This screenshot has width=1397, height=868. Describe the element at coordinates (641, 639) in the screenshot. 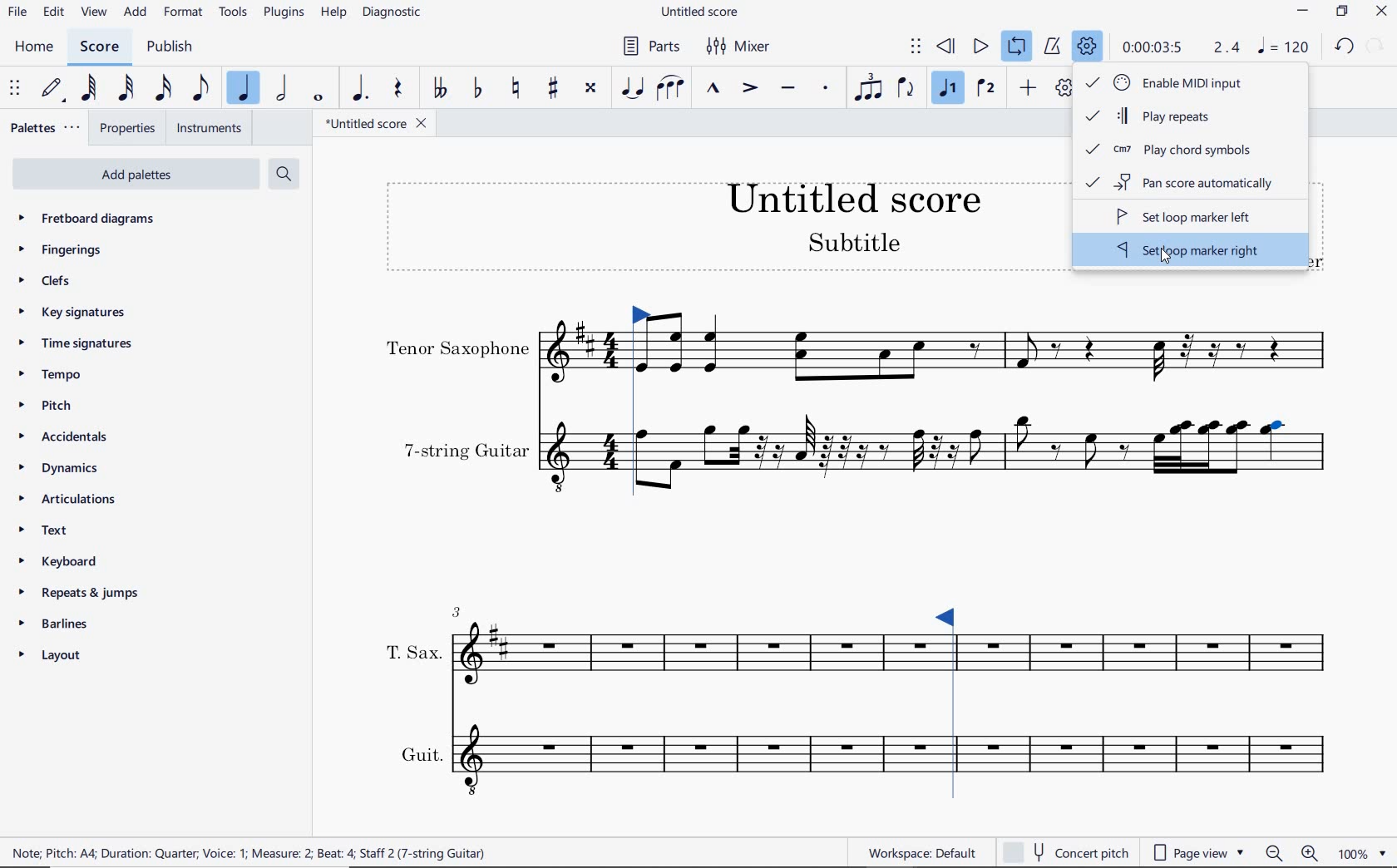

I see `INSTRUMENT: T.SAX` at that location.